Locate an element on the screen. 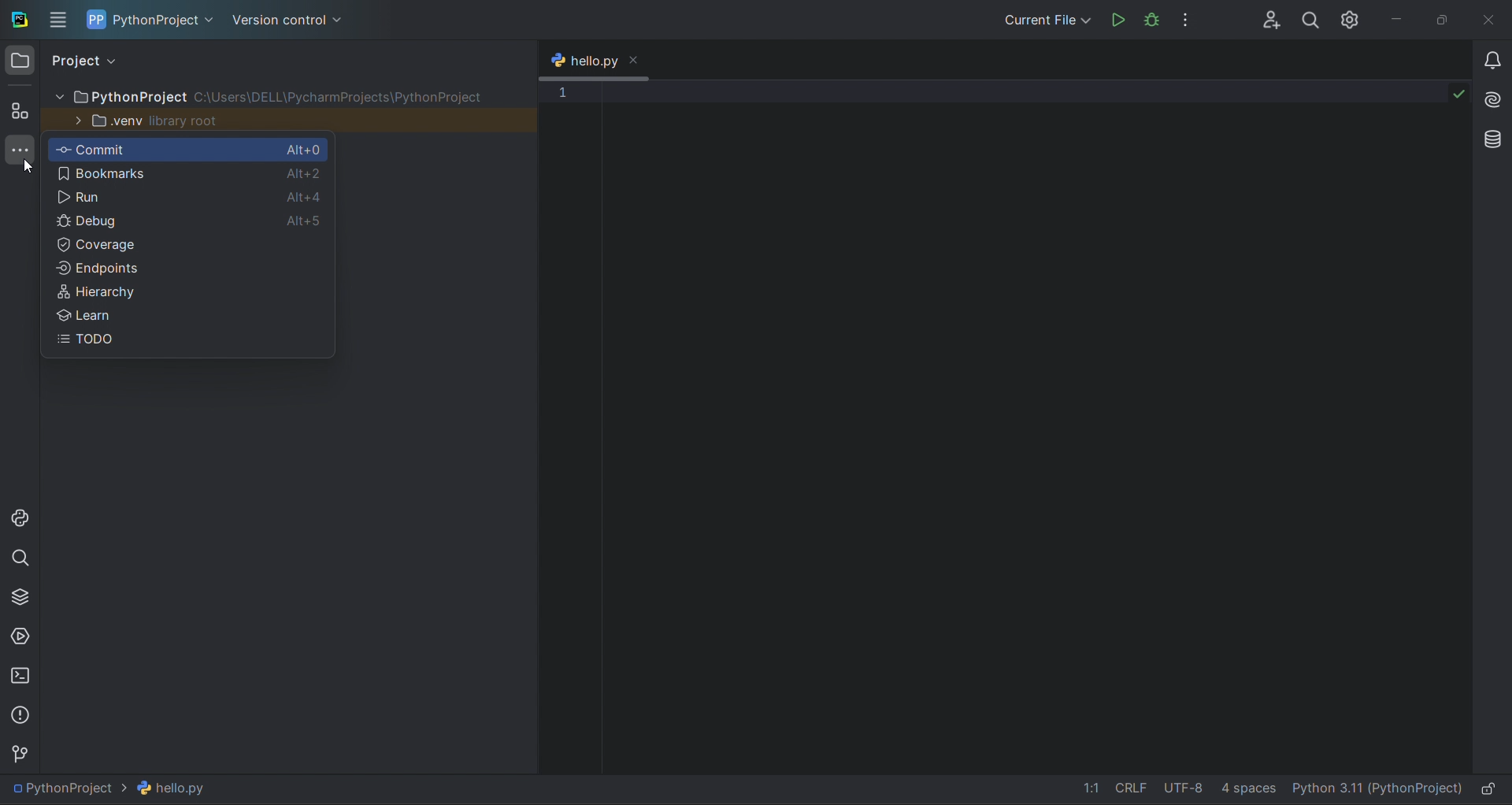 This screenshot has width=1512, height=805. 11 CRLF UTF-8 4spaces Python 3.11 (PythonProject) is located at coordinates (1273, 789).